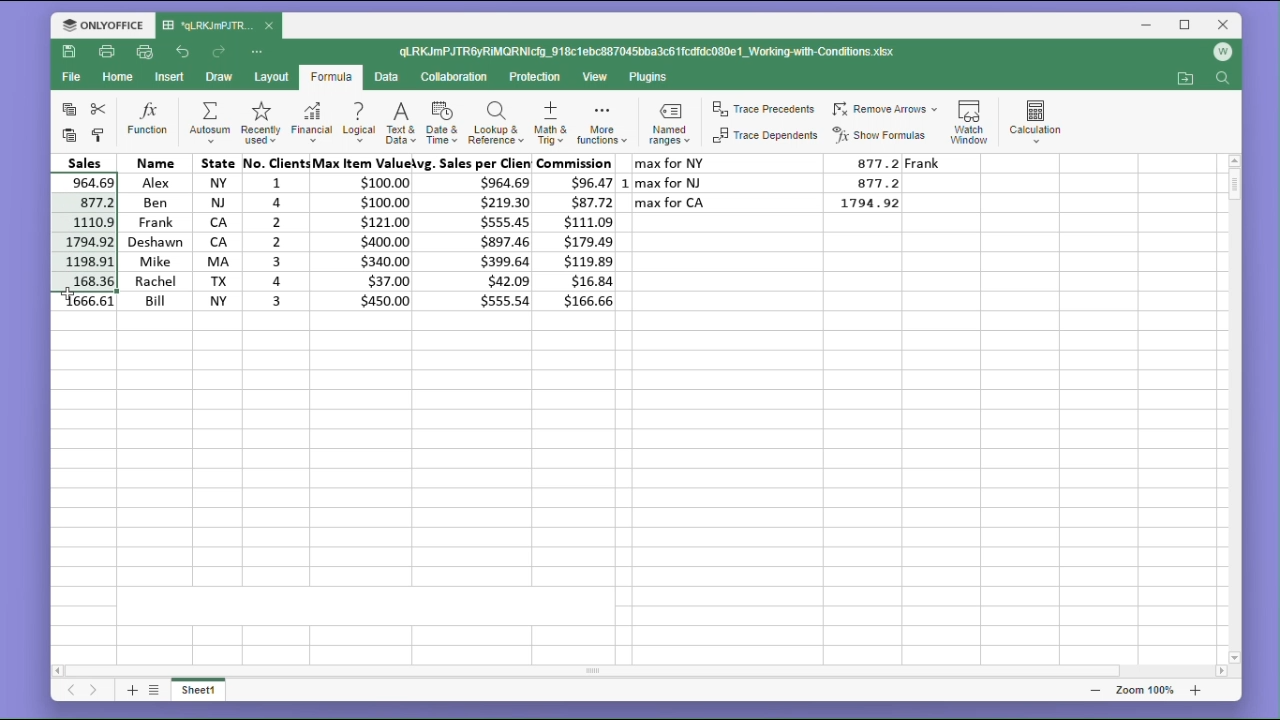 The height and width of the screenshot is (720, 1280). Describe the element at coordinates (443, 124) in the screenshot. I see `date & time` at that location.